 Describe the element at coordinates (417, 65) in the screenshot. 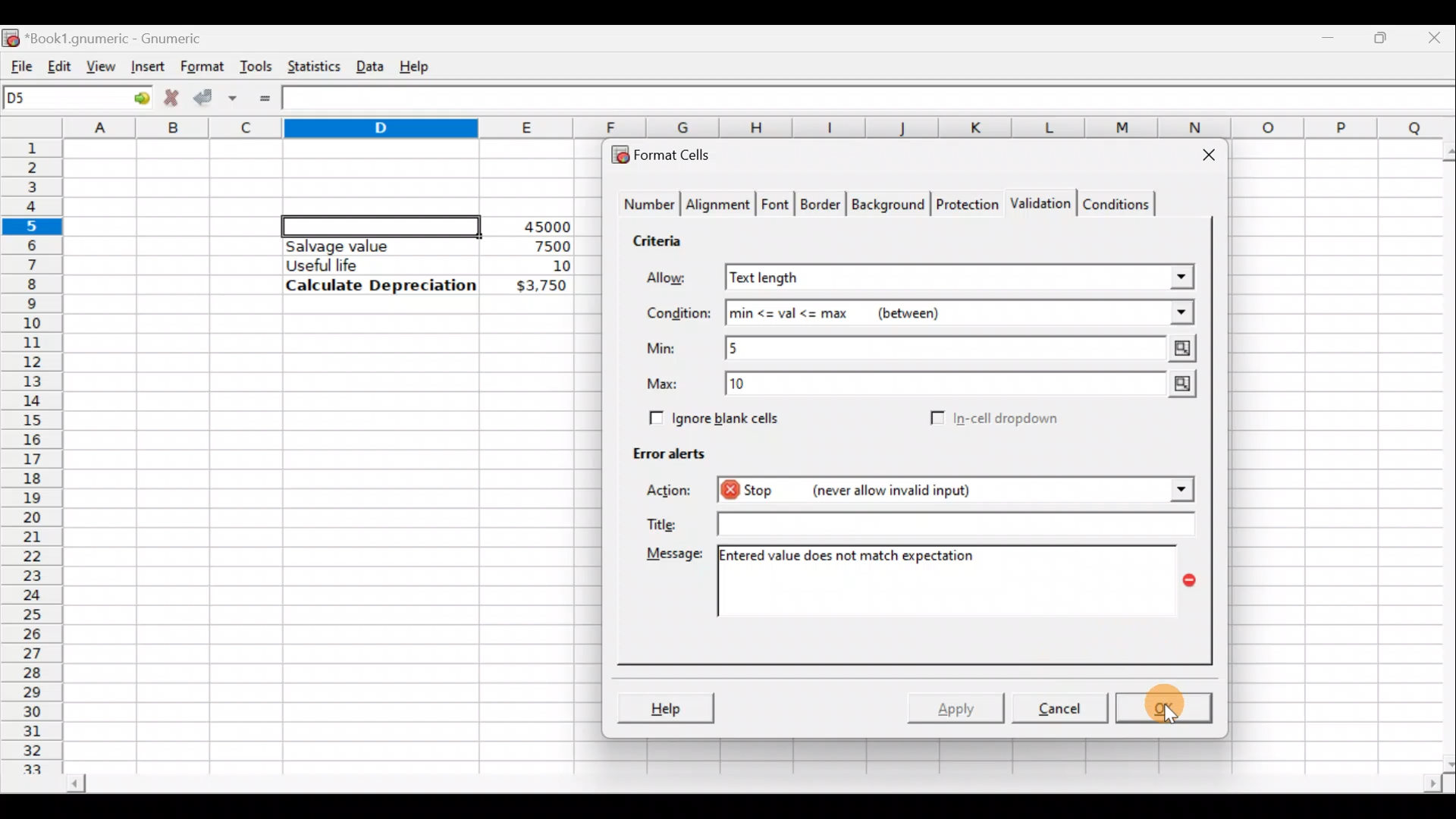

I see `Help` at that location.